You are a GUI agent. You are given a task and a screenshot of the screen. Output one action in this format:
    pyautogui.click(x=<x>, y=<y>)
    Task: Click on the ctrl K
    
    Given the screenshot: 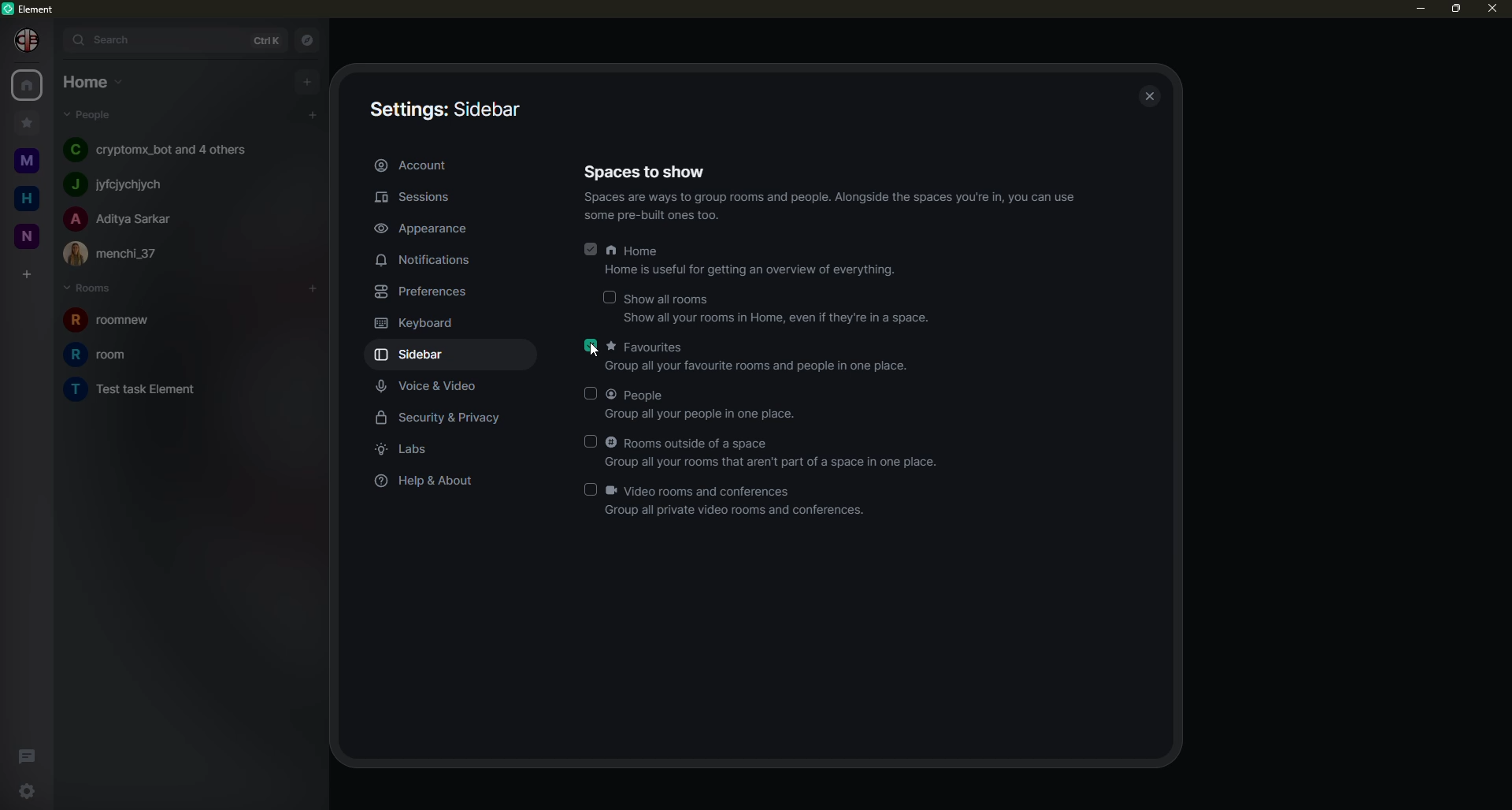 What is the action you would take?
    pyautogui.click(x=261, y=39)
    